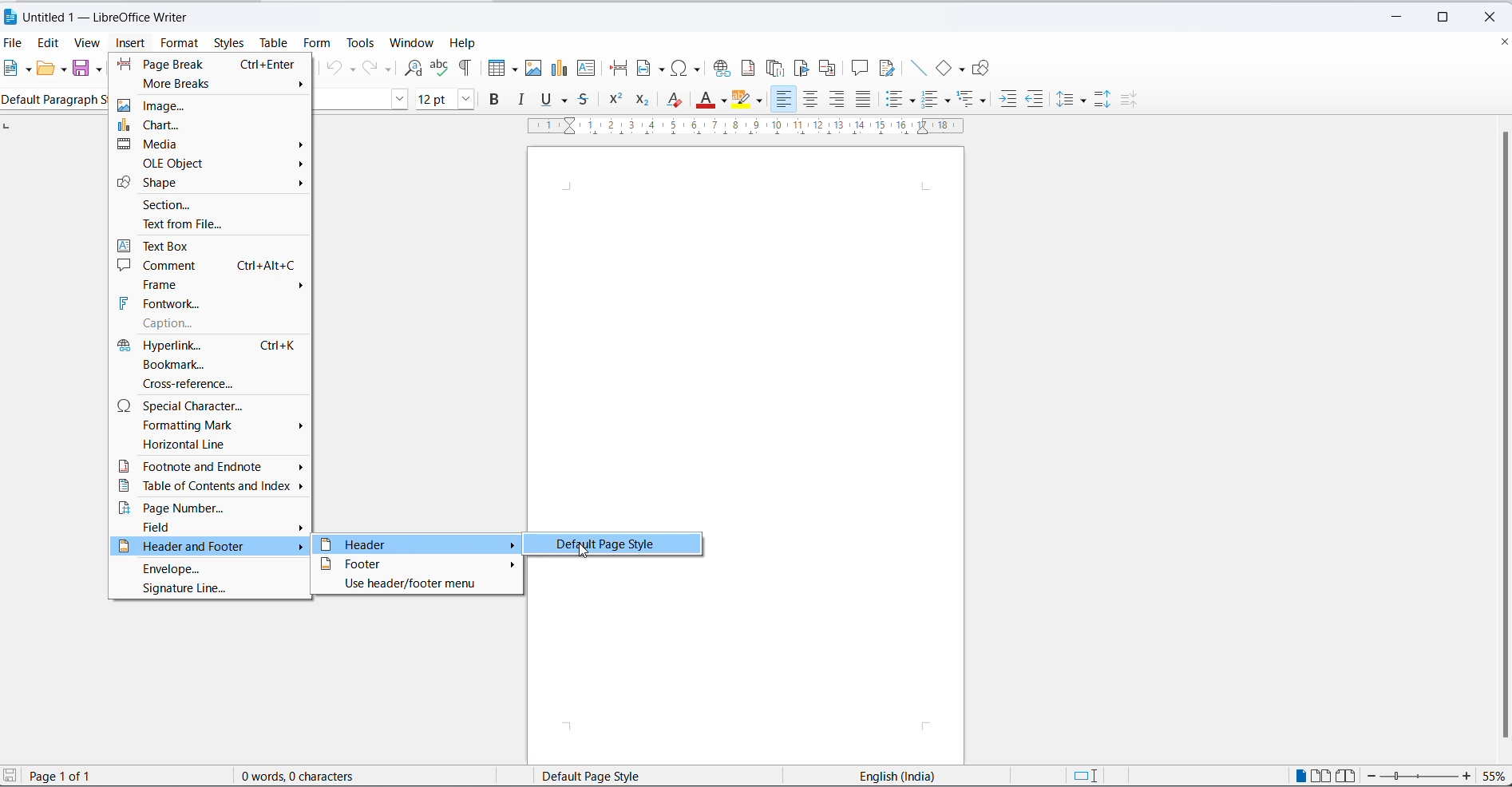  Describe the element at coordinates (774, 69) in the screenshot. I see `insert endnote` at that location.